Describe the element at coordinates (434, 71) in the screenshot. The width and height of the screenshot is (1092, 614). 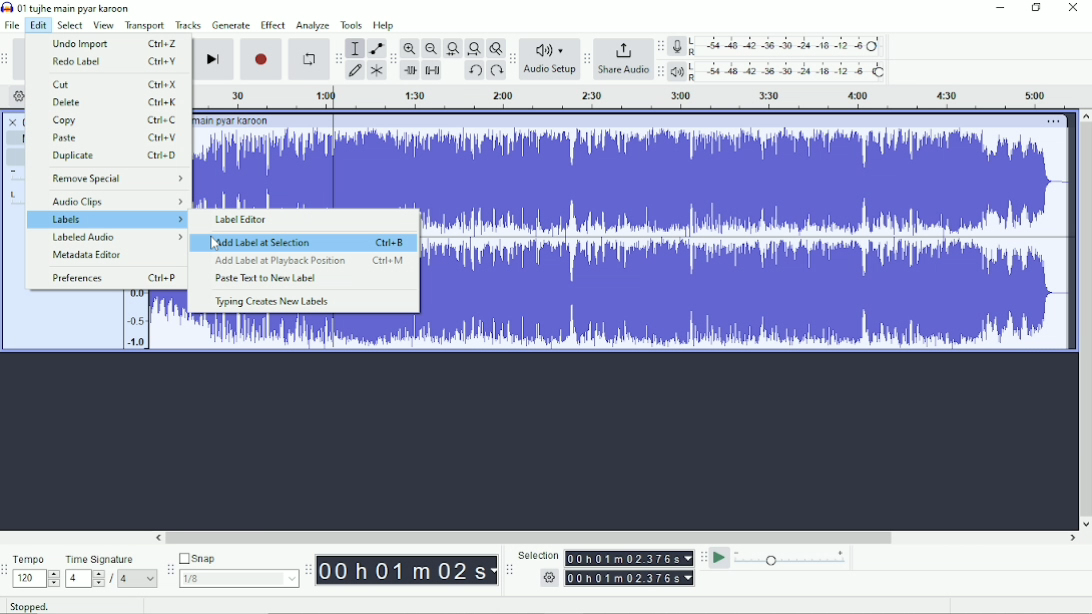
I see `Silence audio selection` at that location.